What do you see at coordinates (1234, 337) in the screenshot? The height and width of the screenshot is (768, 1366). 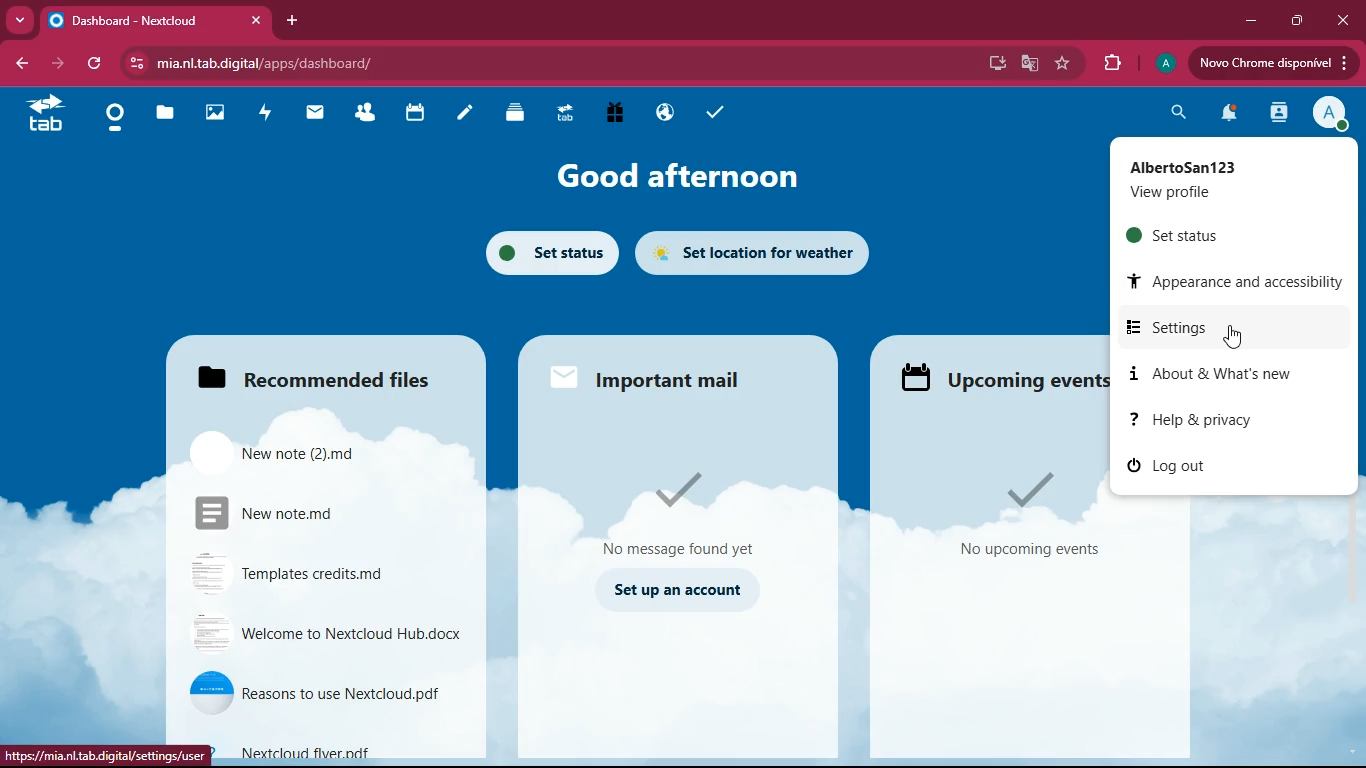 I see `cursor` at bounding box center [1234, 337].